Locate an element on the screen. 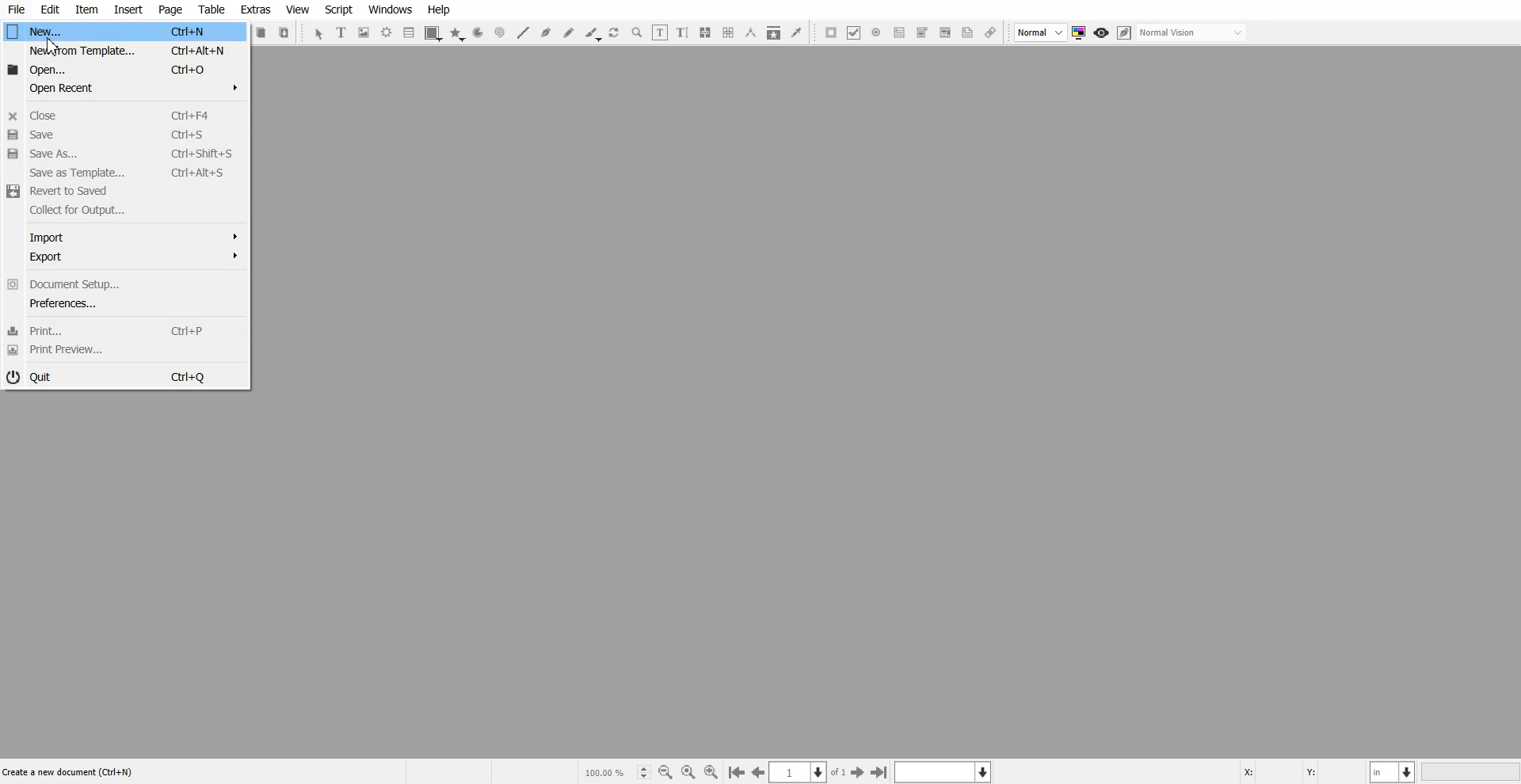 Image resolution: width=1521 pixels, height=784 pixels. Toggle color  is located at coordinates (1081, 33).